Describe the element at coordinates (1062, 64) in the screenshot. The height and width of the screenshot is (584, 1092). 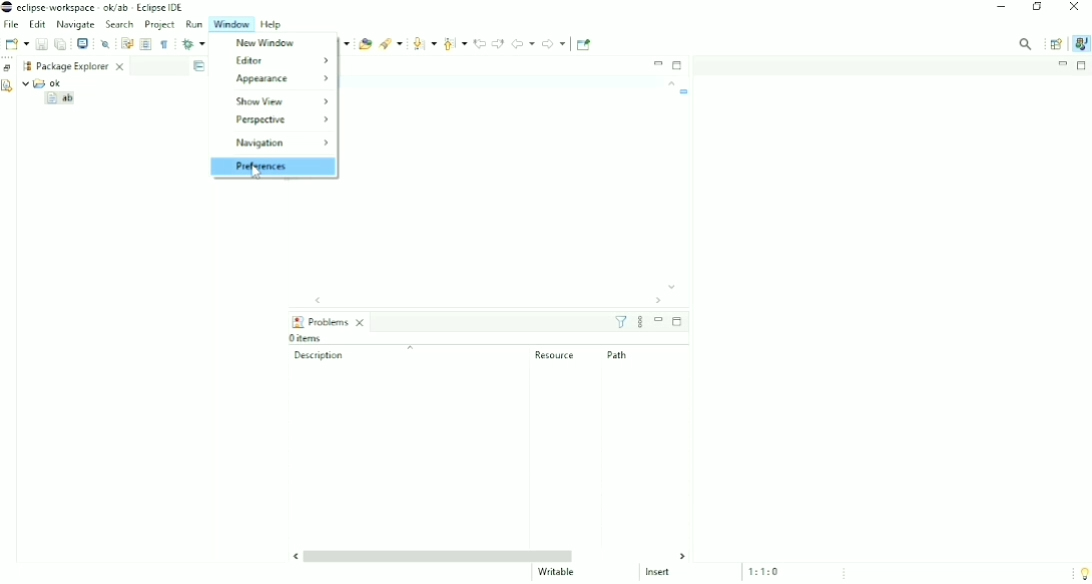
I see `Minimize` at that location.